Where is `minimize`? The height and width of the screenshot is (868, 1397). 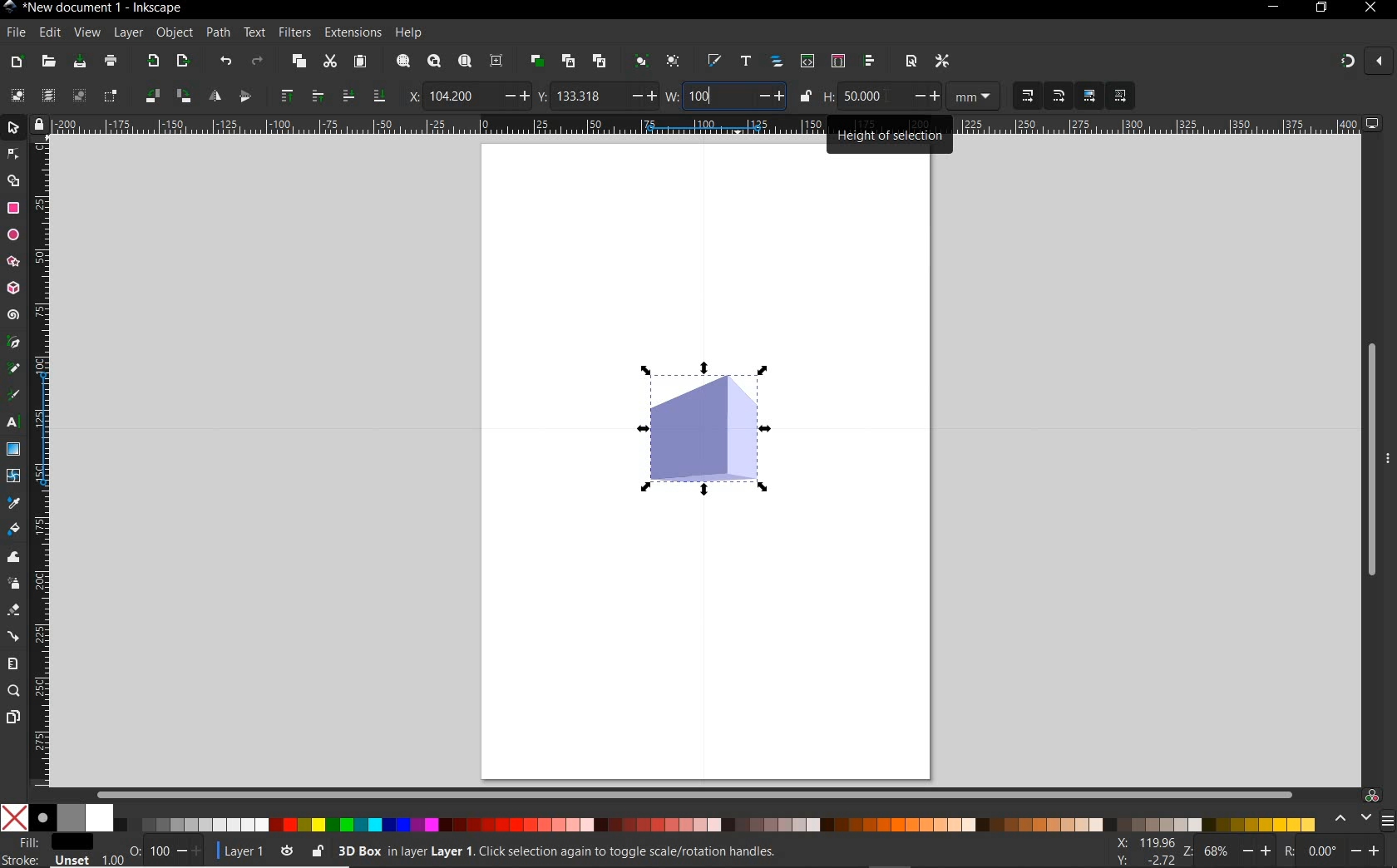 minimize is located at coordinates (1272, 8).